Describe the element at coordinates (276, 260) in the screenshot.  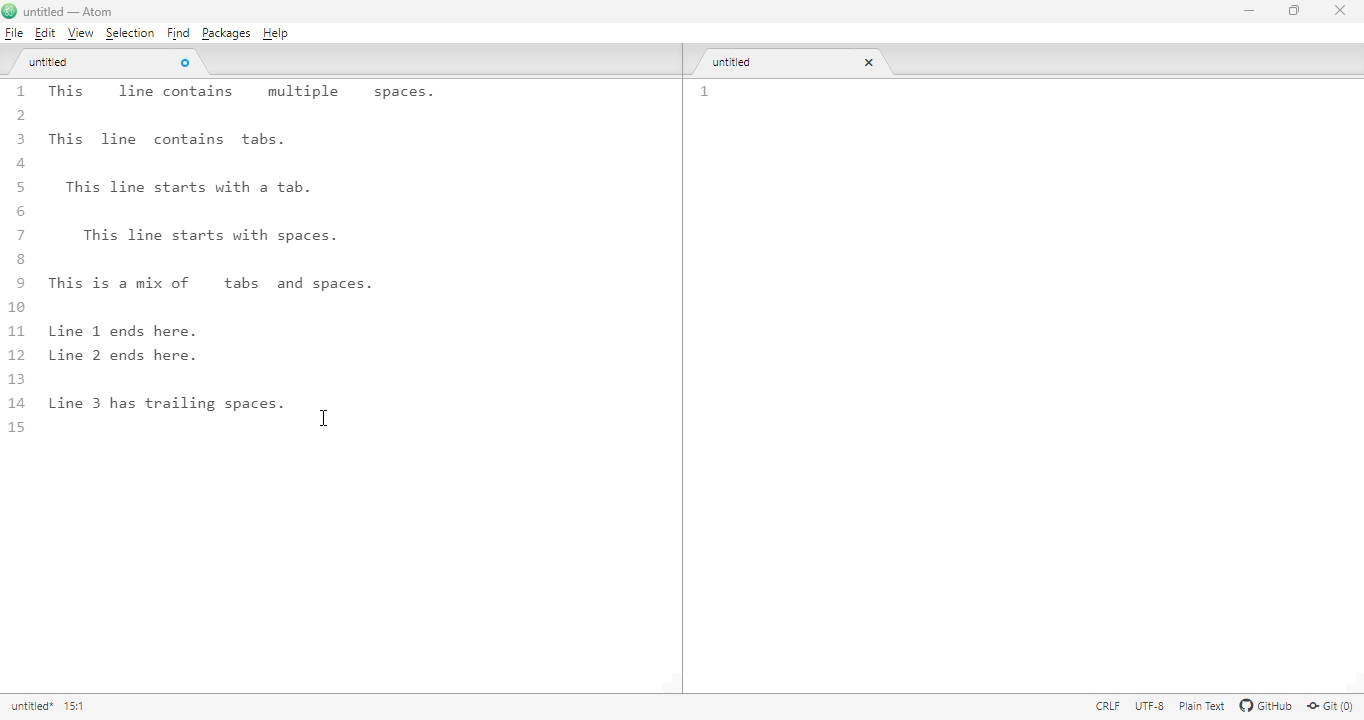
I see `1 This line contains multiple spaces.
2

3 This line contains tabs.

1

5 This line starts with a tab.

6

7 This line starts with spaces.

8

9 This is a mix of tabs and spaces.
10

11 Line 1 ends here.

12 Line 2 ends here.

13

14 Line 3 has trailing spaces.

15 I` at that location.